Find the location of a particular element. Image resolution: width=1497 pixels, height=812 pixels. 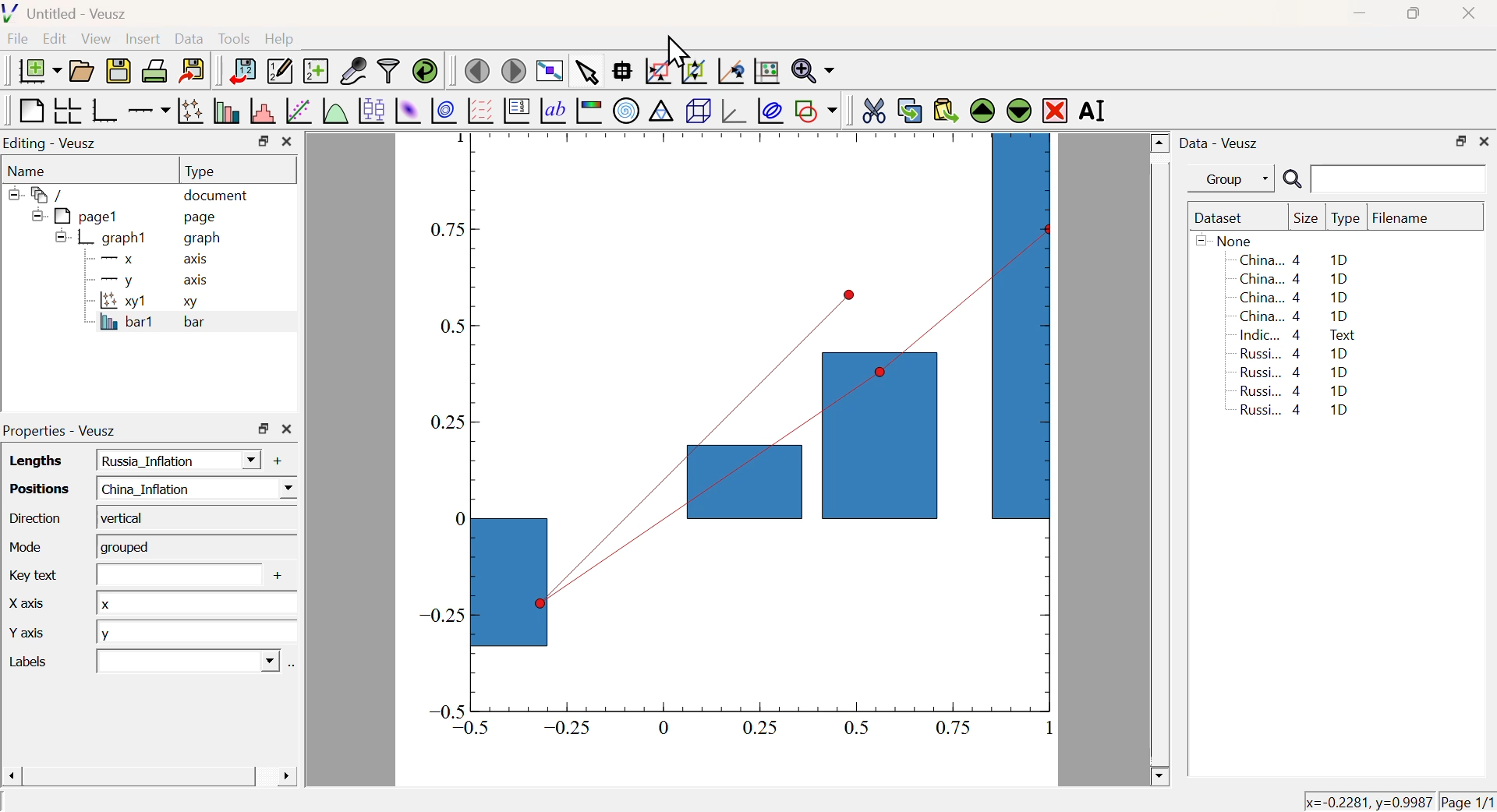

Data - Veusz is located at coordinates (1222, 144).